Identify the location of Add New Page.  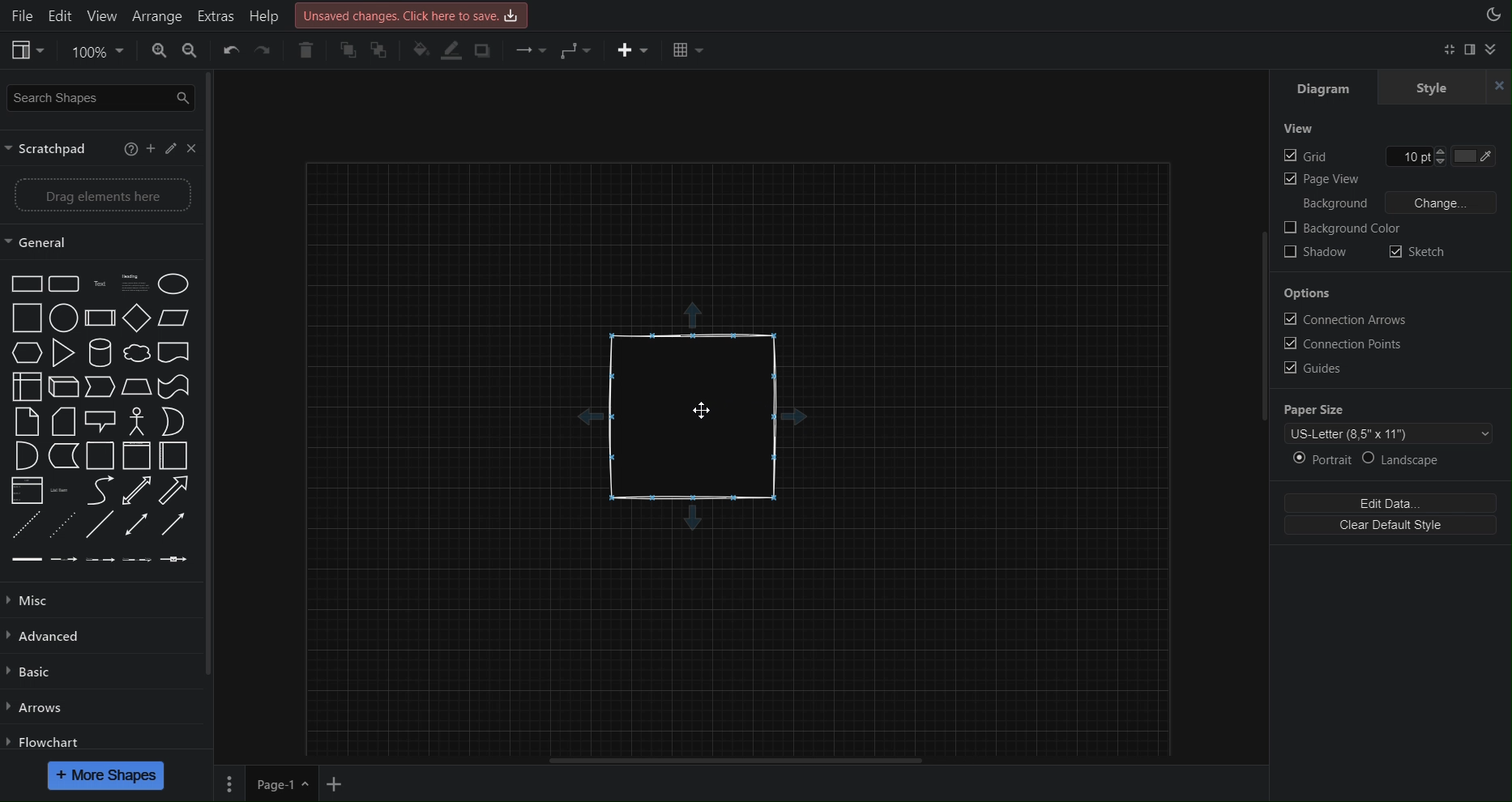
(340, 782).